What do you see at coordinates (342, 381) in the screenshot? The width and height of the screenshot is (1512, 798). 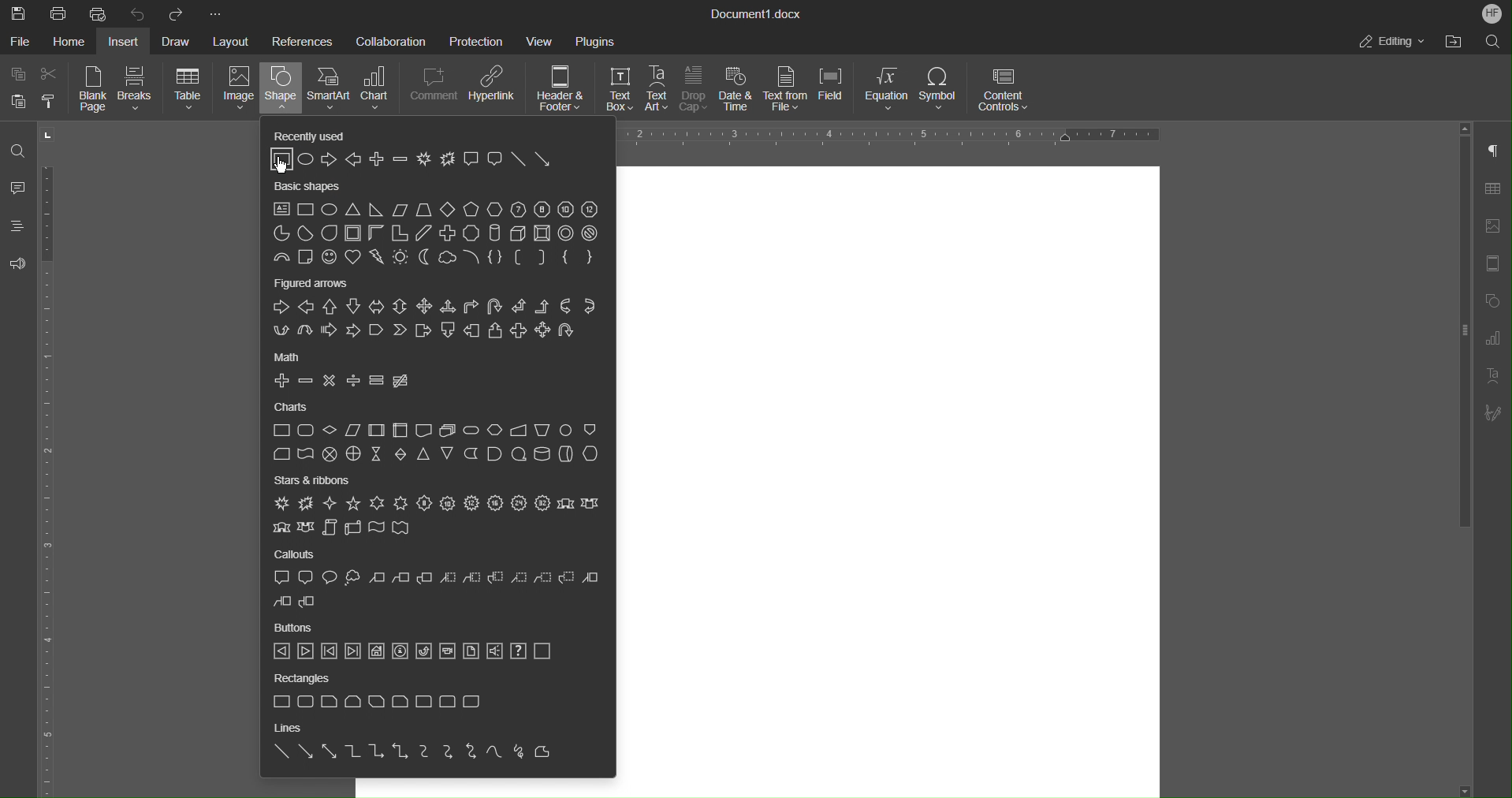 I see `Maths Shapes` at bounding box center [342, 381].